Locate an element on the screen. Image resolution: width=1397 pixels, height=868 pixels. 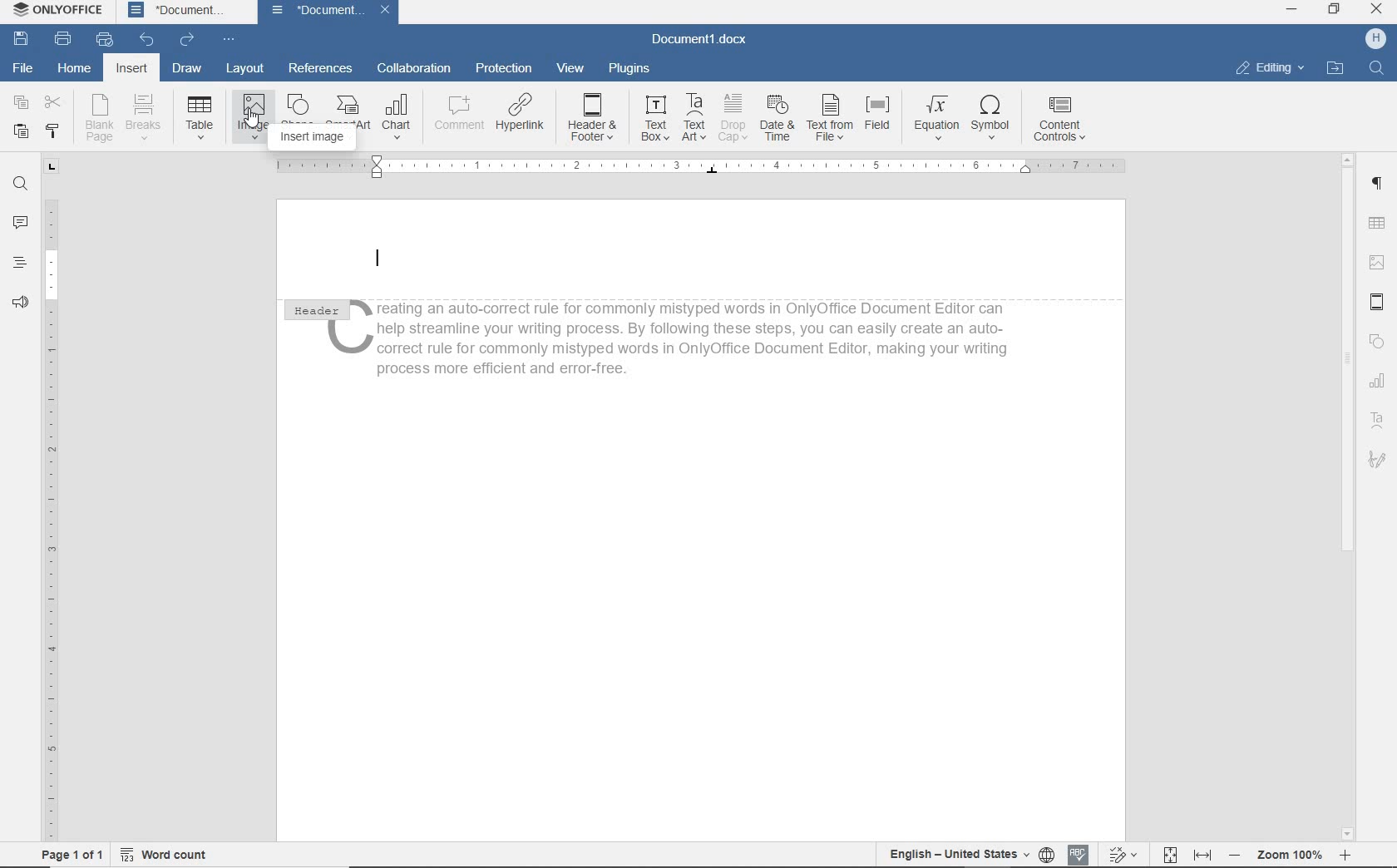
DOCUMENT NAME is located at coordinates (329, 12).